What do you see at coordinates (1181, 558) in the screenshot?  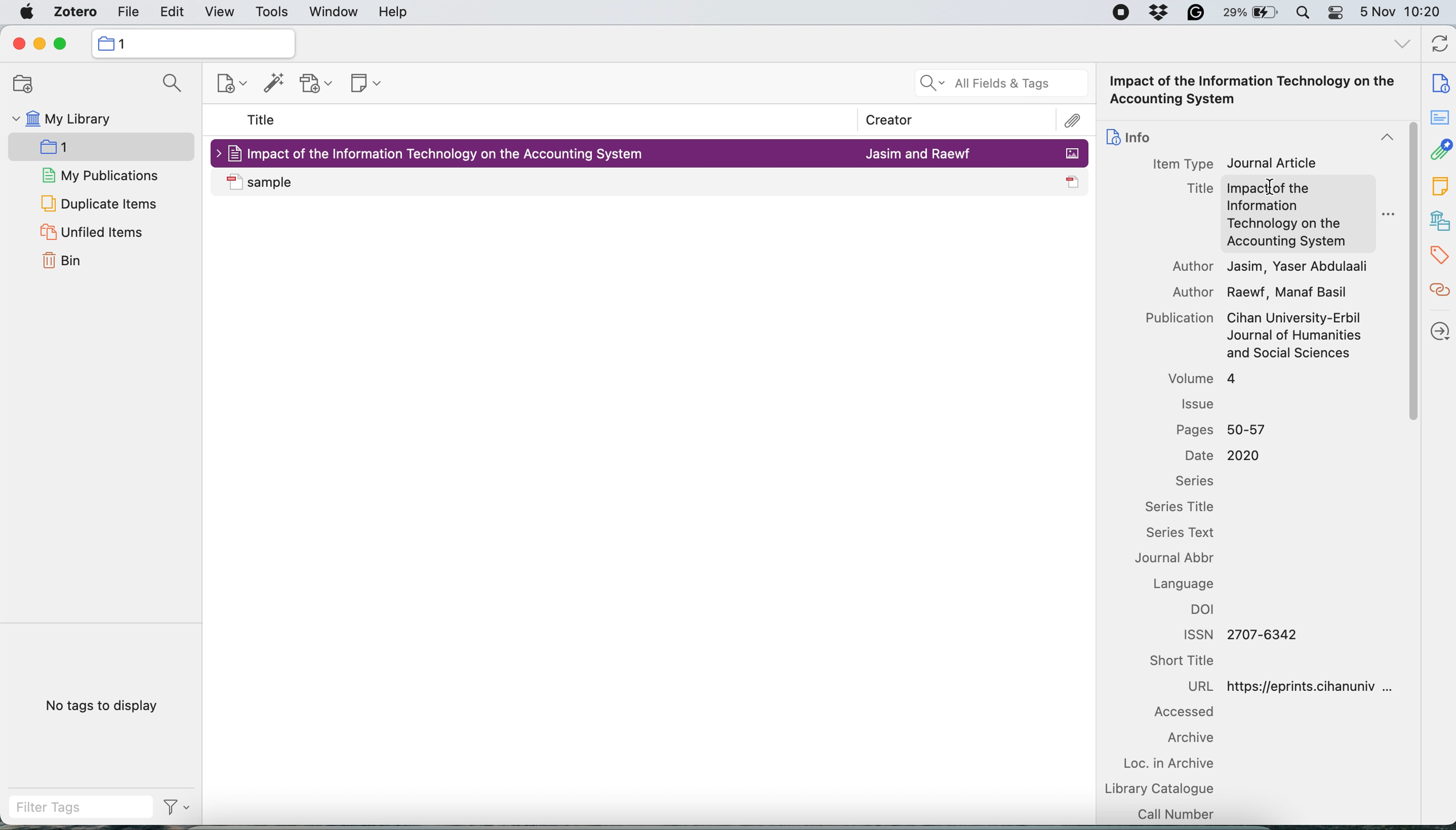 I see `journal abbr` at bounding box center [1181, 558].